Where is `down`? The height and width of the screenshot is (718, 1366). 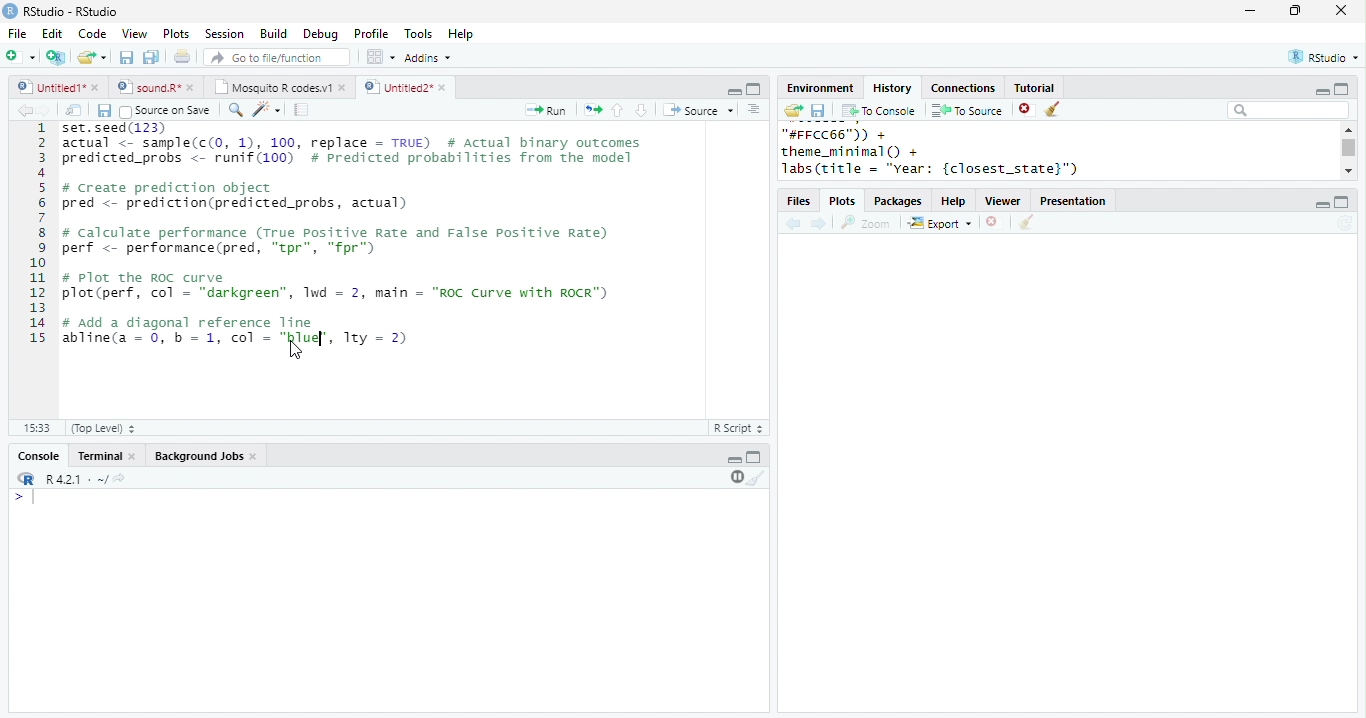 down is located at coordinates (640, 110).